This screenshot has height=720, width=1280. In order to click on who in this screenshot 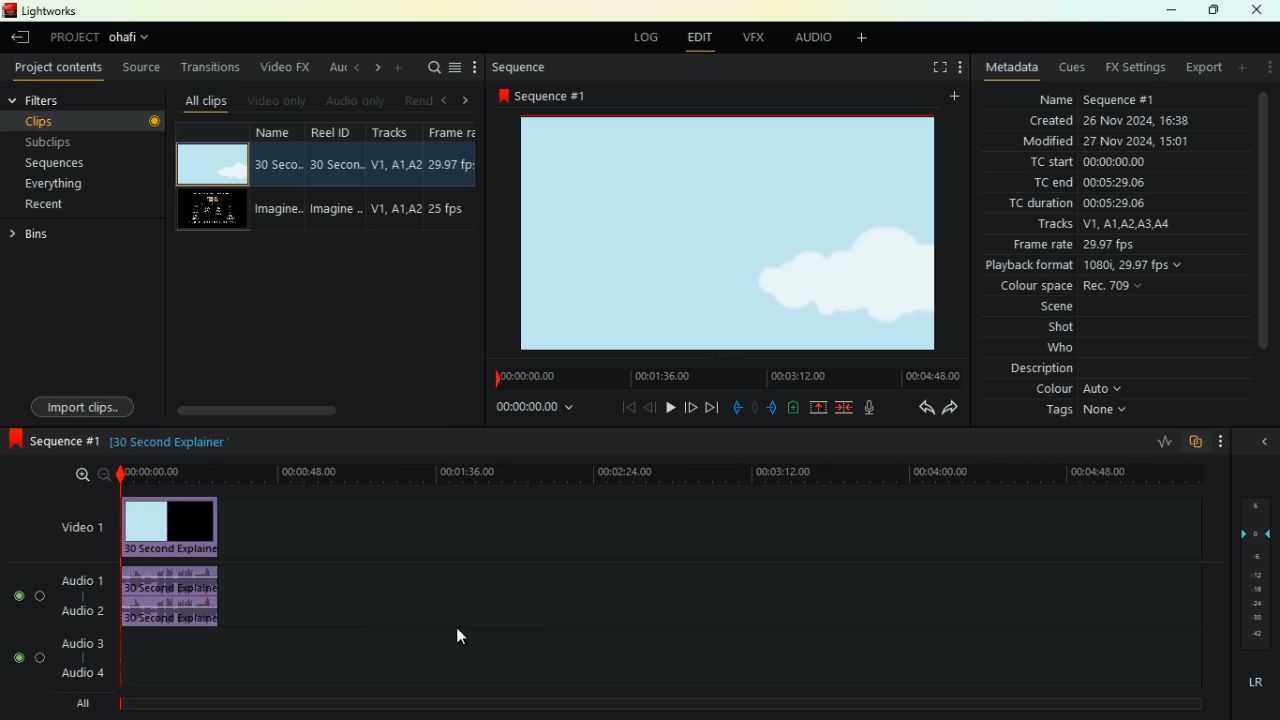, I will do `click(1066, 349)`.